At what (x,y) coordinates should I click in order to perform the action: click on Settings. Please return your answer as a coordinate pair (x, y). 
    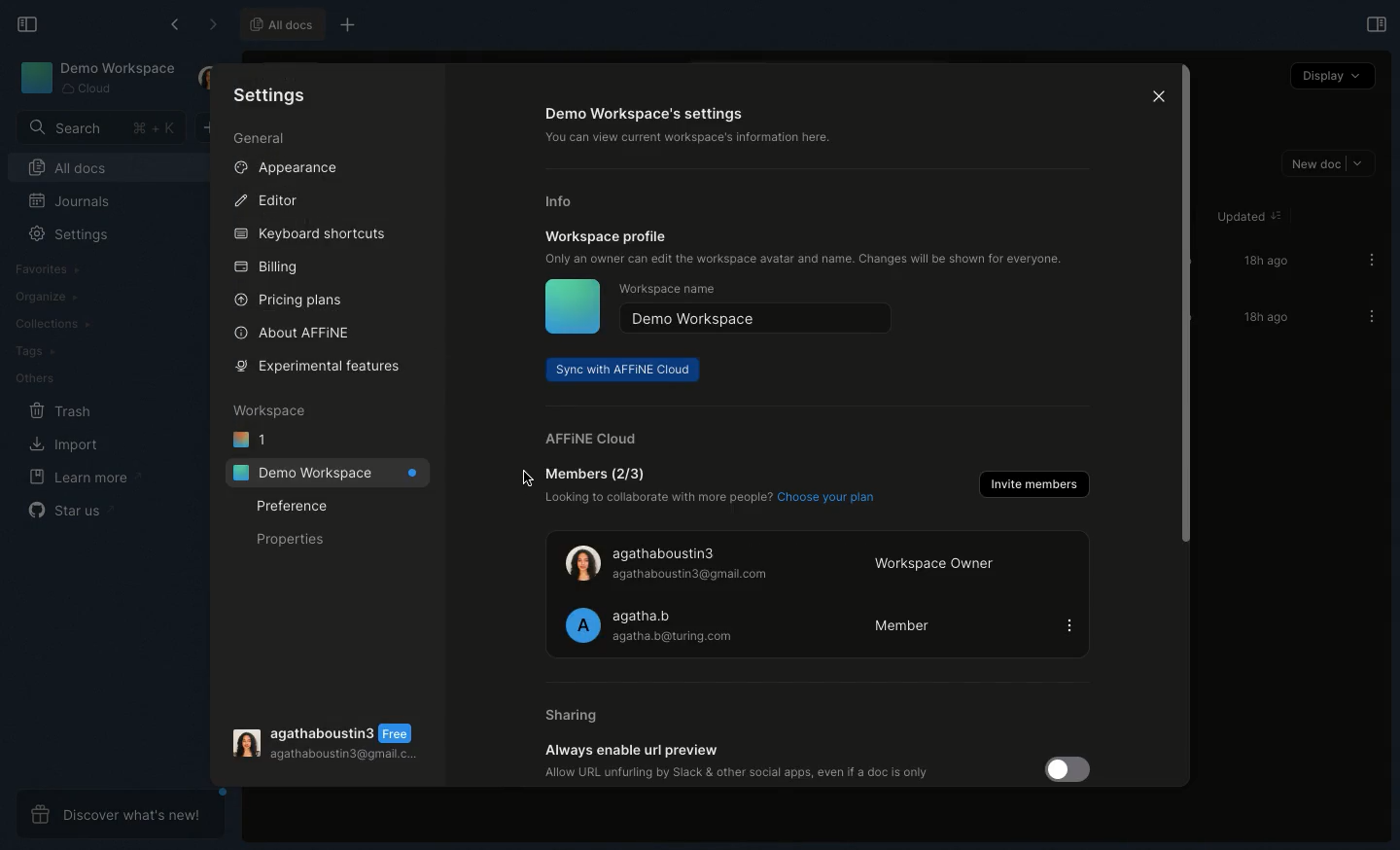
    Looking at the image, I should click on (64, 234).